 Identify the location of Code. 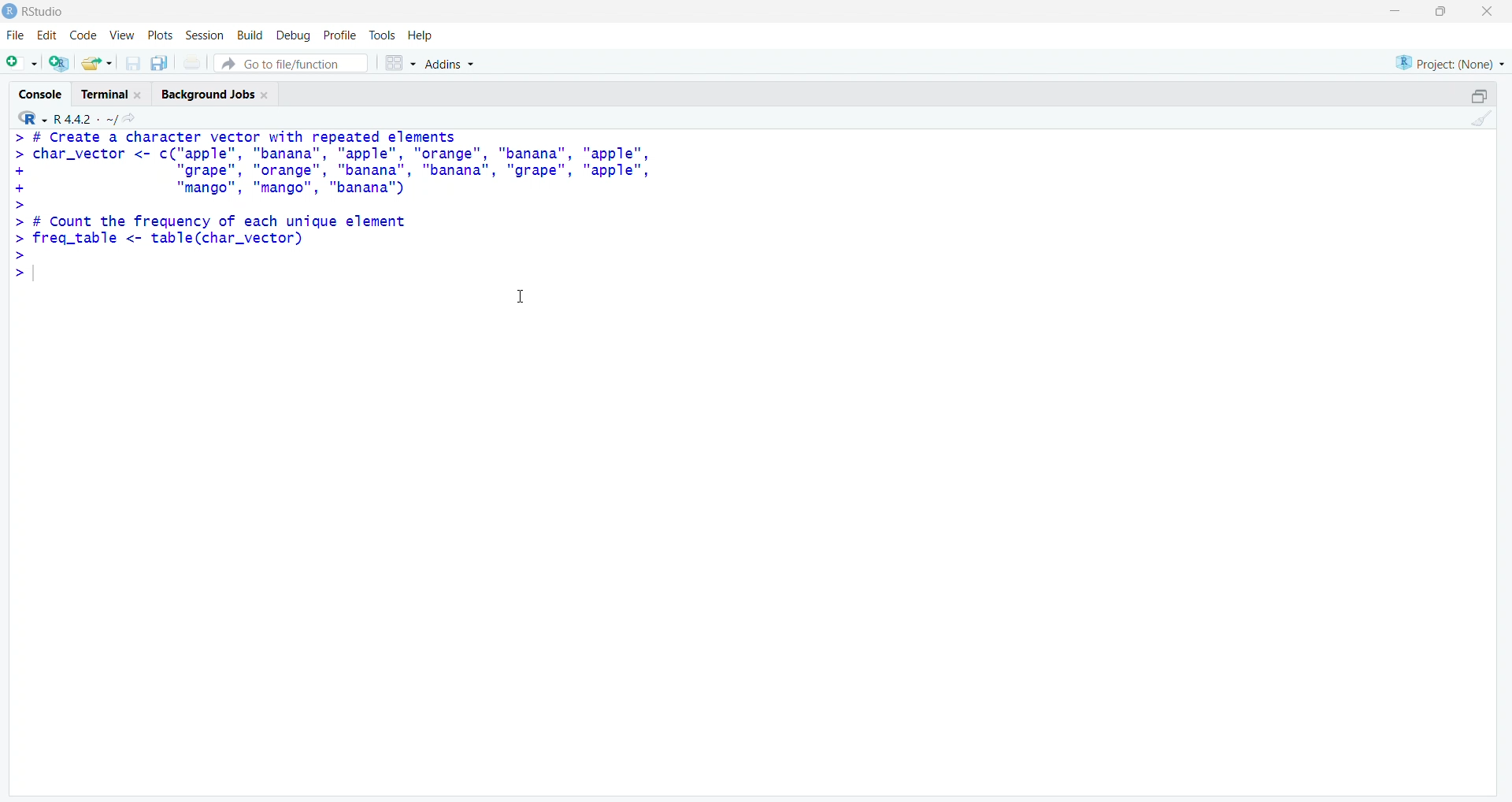
(84, 36).